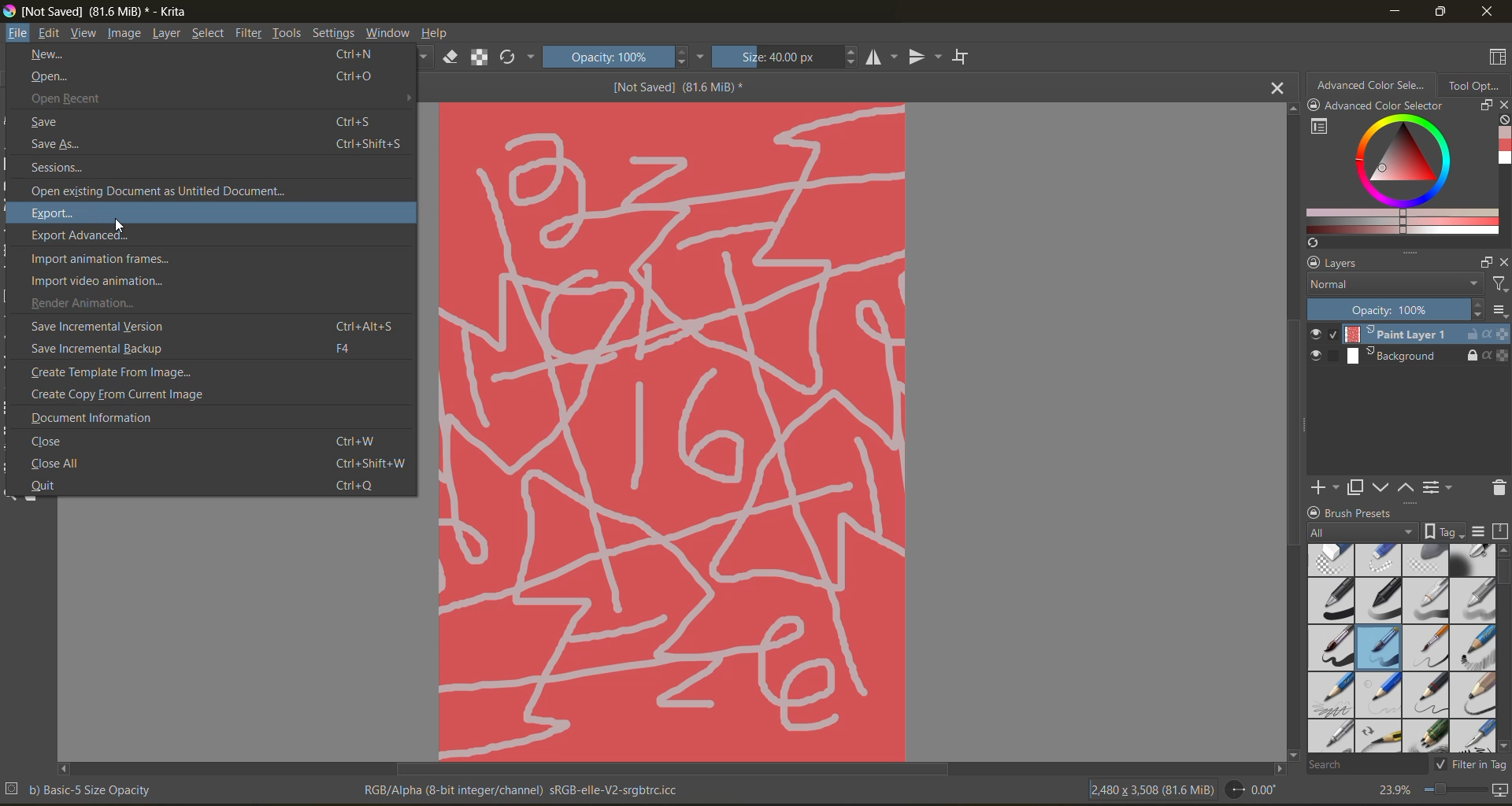 This screenshot has width=1512, height=806. Describe the element at coordinates (1366, 763) in the screenshot. I see `search` at that location.